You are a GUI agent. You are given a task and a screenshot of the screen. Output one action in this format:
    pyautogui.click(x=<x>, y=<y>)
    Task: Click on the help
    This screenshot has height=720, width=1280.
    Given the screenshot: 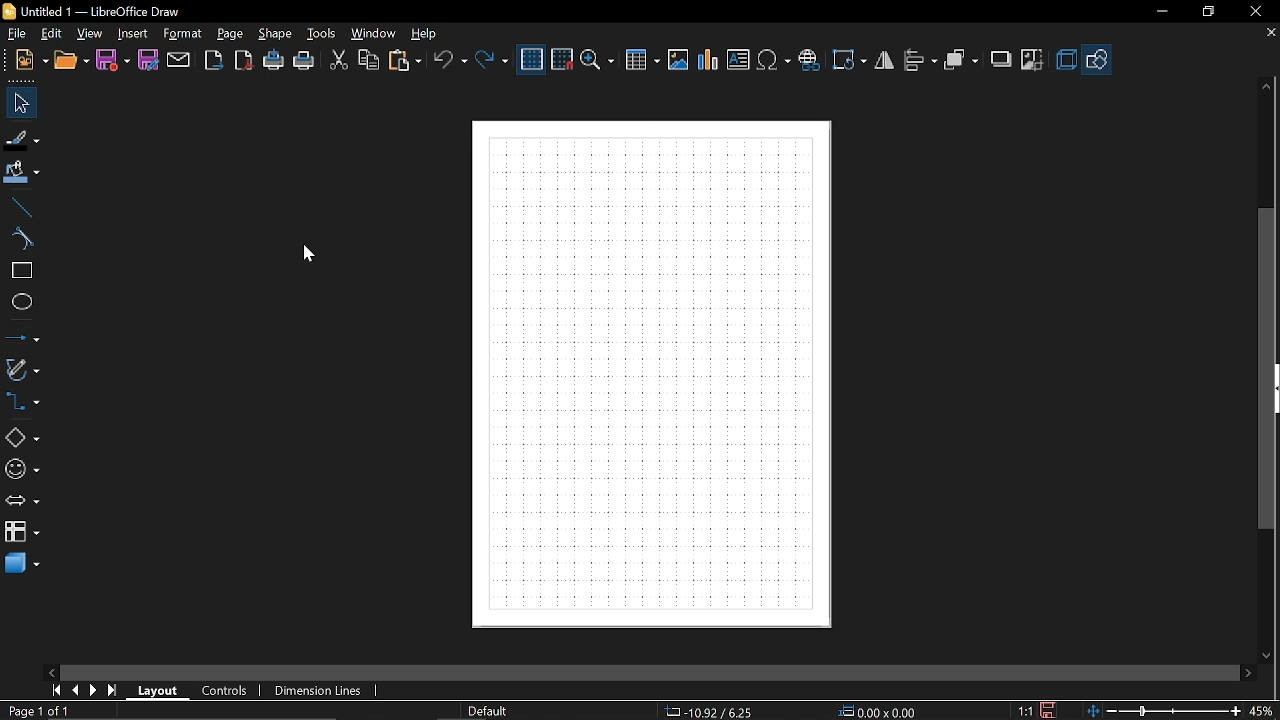 What is the action you would take?
    pyautogui.click(x=431, y=34)
    